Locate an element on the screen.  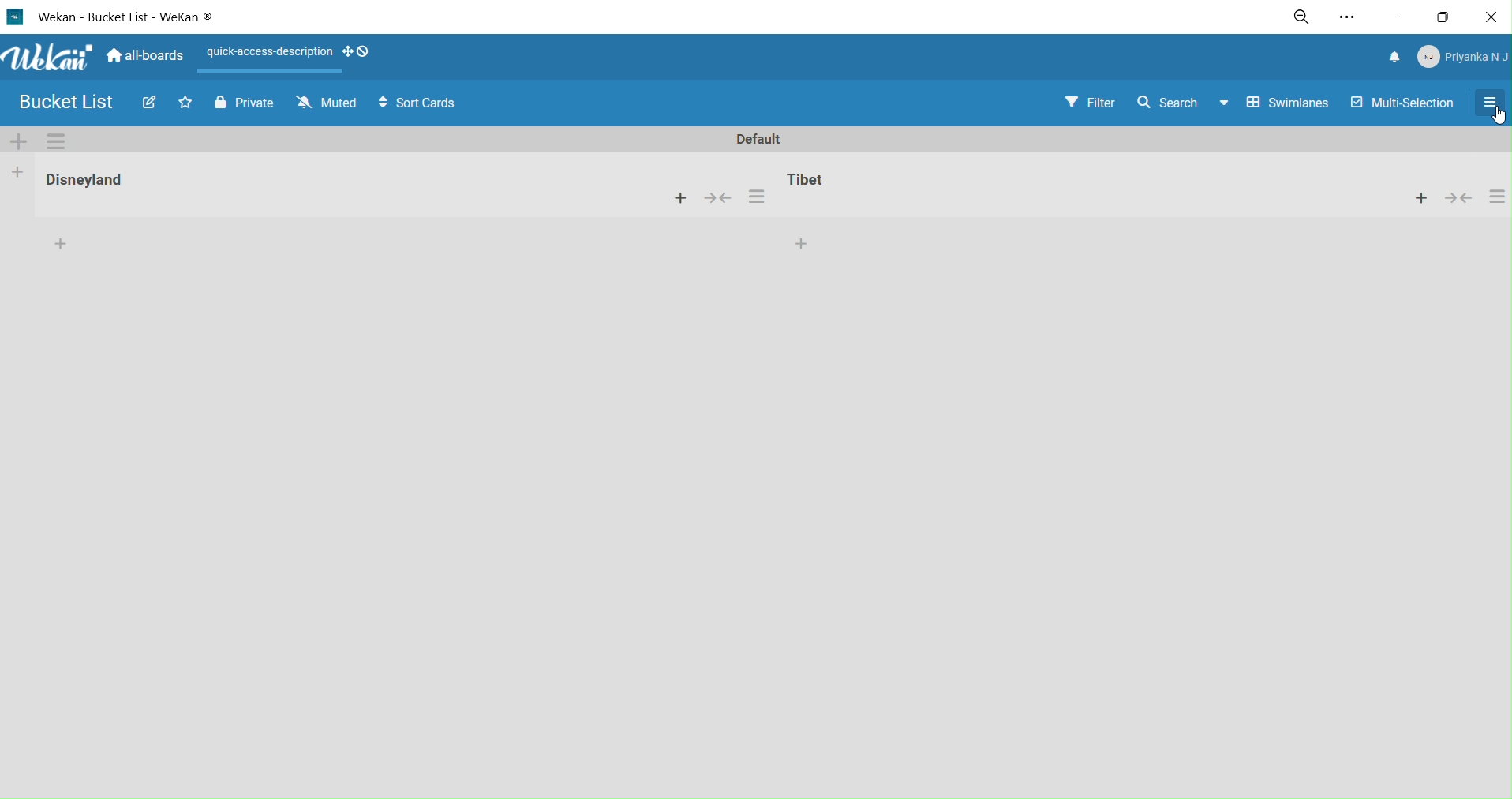
add card to the bottom of the list is located at coordinates (802, 246).